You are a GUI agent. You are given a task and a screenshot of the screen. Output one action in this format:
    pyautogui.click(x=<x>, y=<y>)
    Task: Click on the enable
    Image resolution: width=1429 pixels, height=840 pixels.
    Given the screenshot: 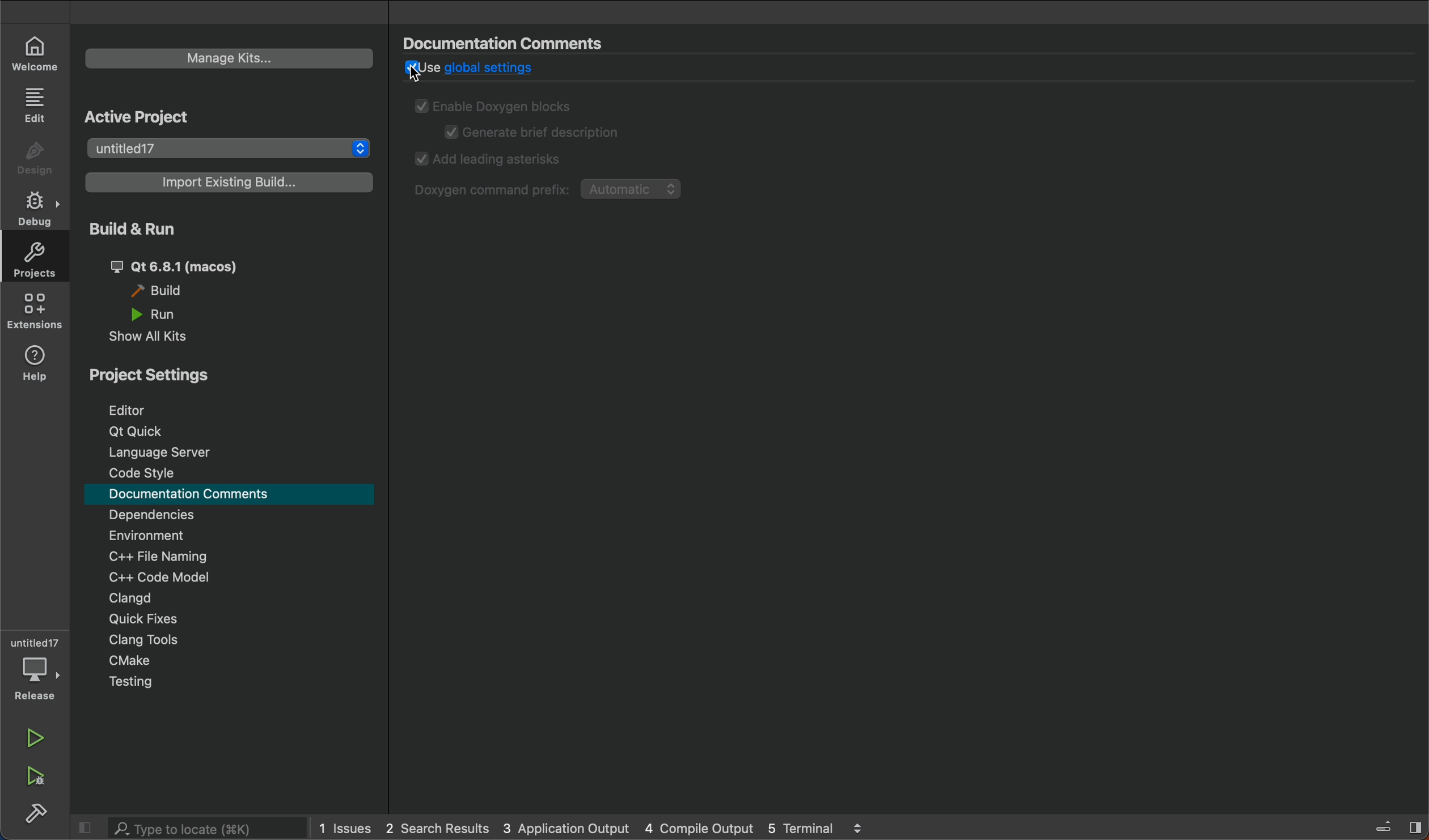 What is the action you would take?
    pyautogui.click(x=505, y=105)
    